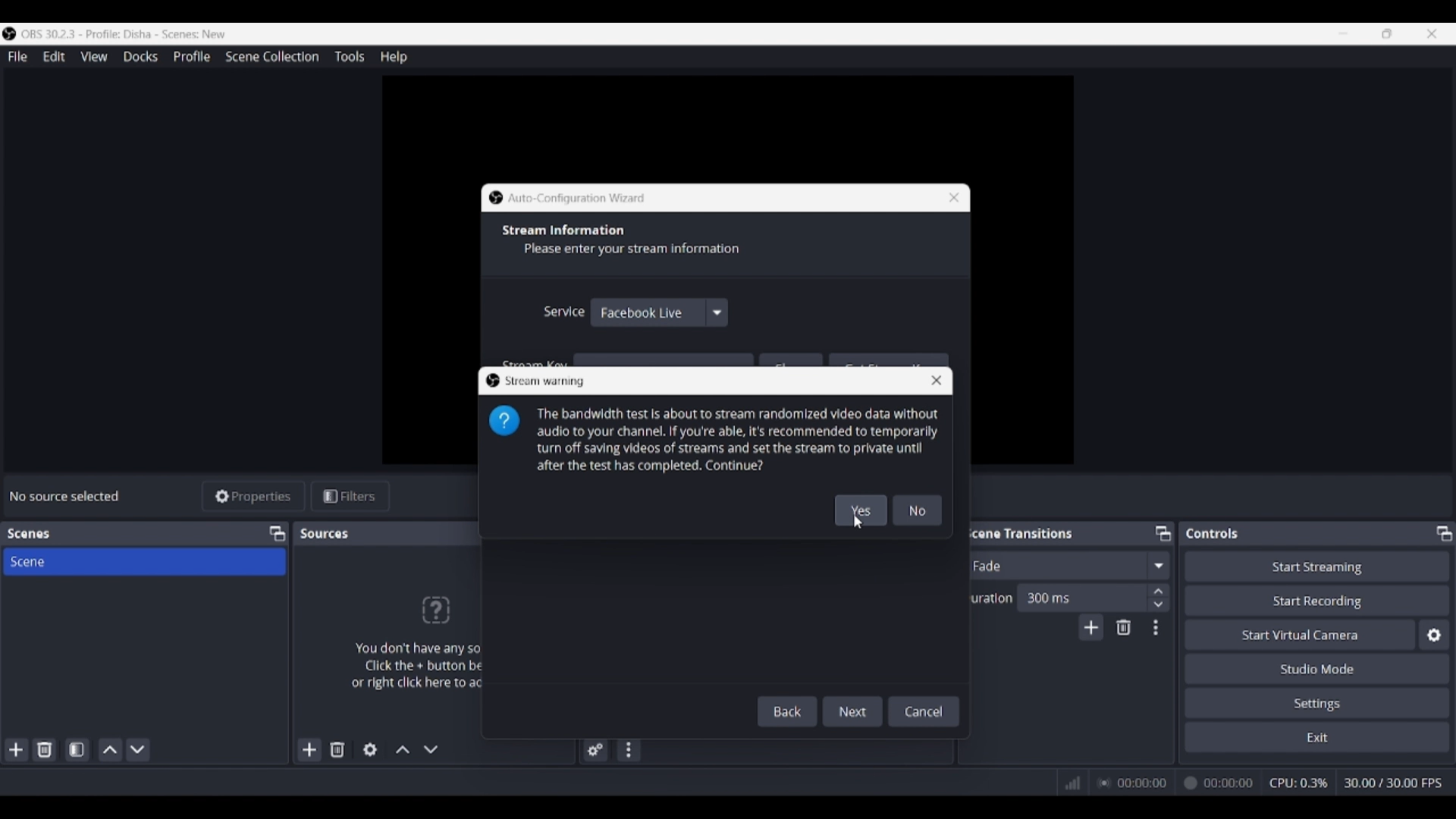 The image size is (1456, 819). Describe the element at coordinates (546, 381) in the screenshot. I see `Window title` at that location.